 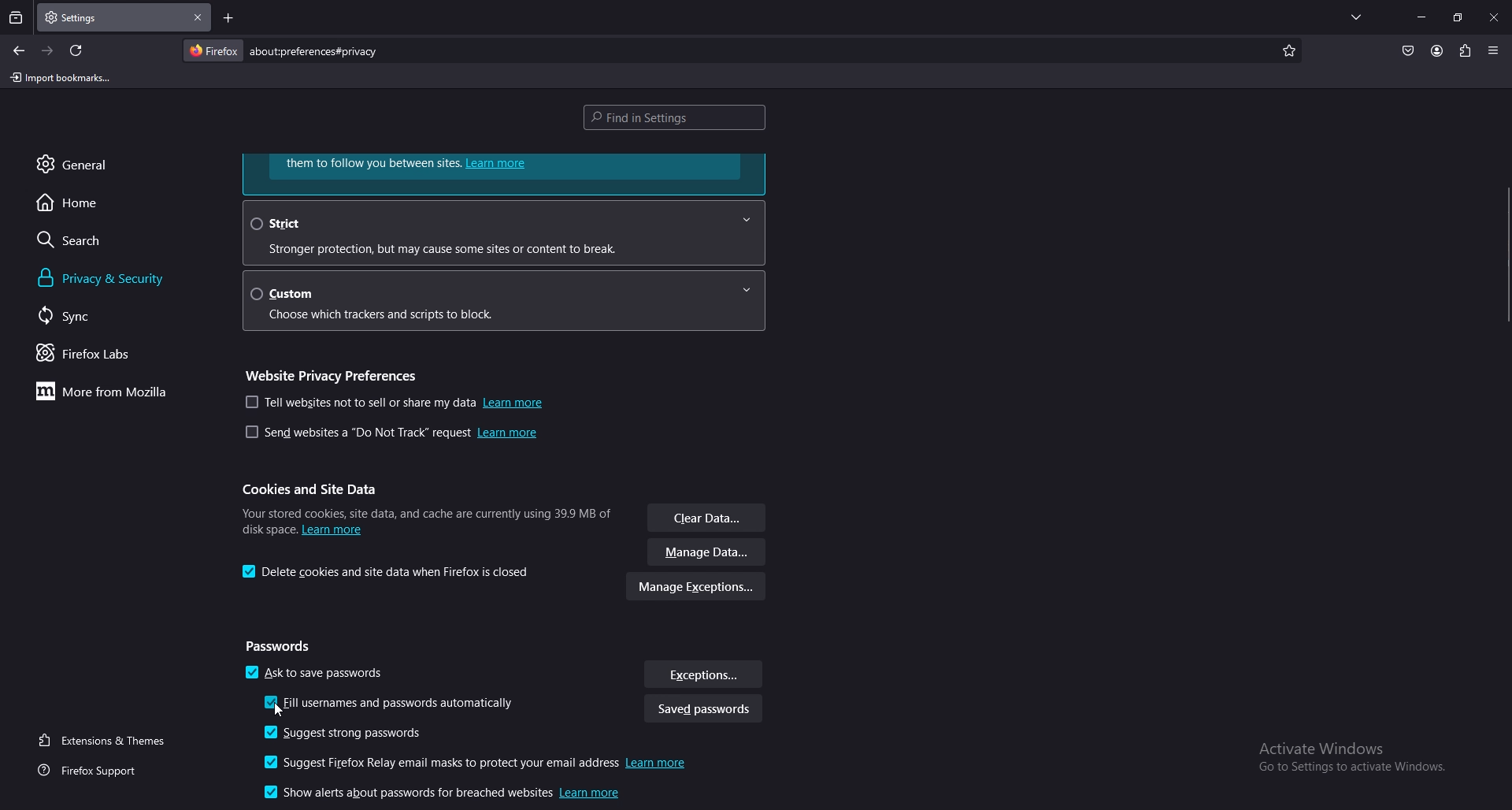 What do you see at coordinates (318, 51) in the screenshot?
I see `search bar` at bounding box center [318, 51].